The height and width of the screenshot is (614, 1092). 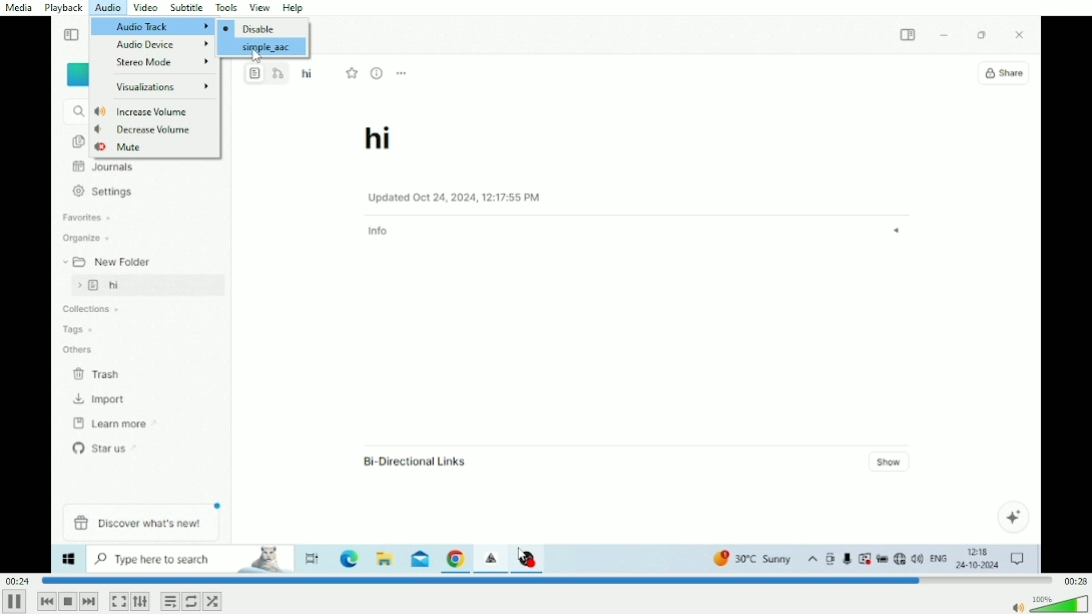 What do you see at coordinates (164, 63) in the screenshot?
I see `Stereo Mode` at bounding box center [164, 63].